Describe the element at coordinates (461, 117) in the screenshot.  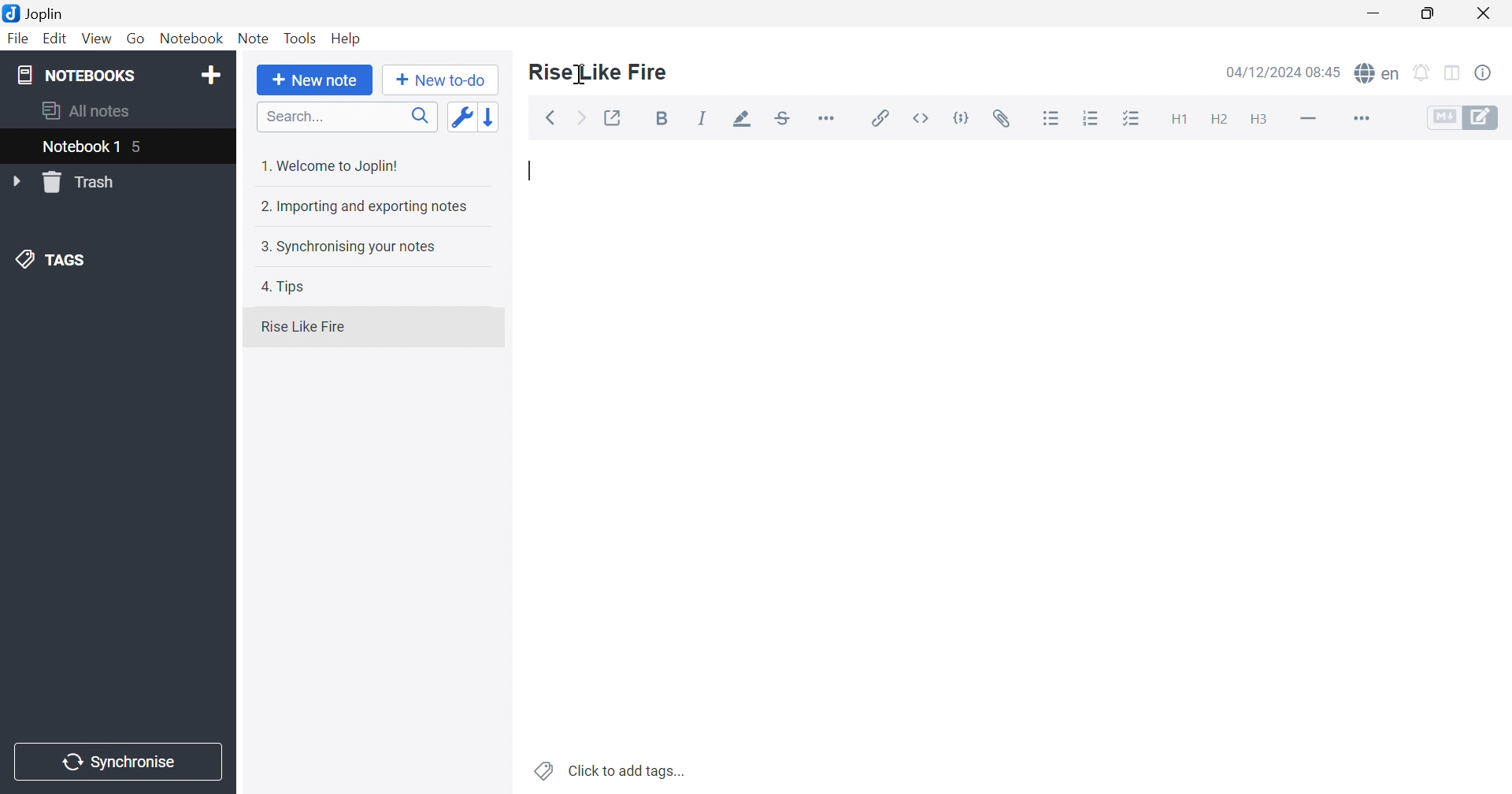
I see `Toggle sort order field` at that location.